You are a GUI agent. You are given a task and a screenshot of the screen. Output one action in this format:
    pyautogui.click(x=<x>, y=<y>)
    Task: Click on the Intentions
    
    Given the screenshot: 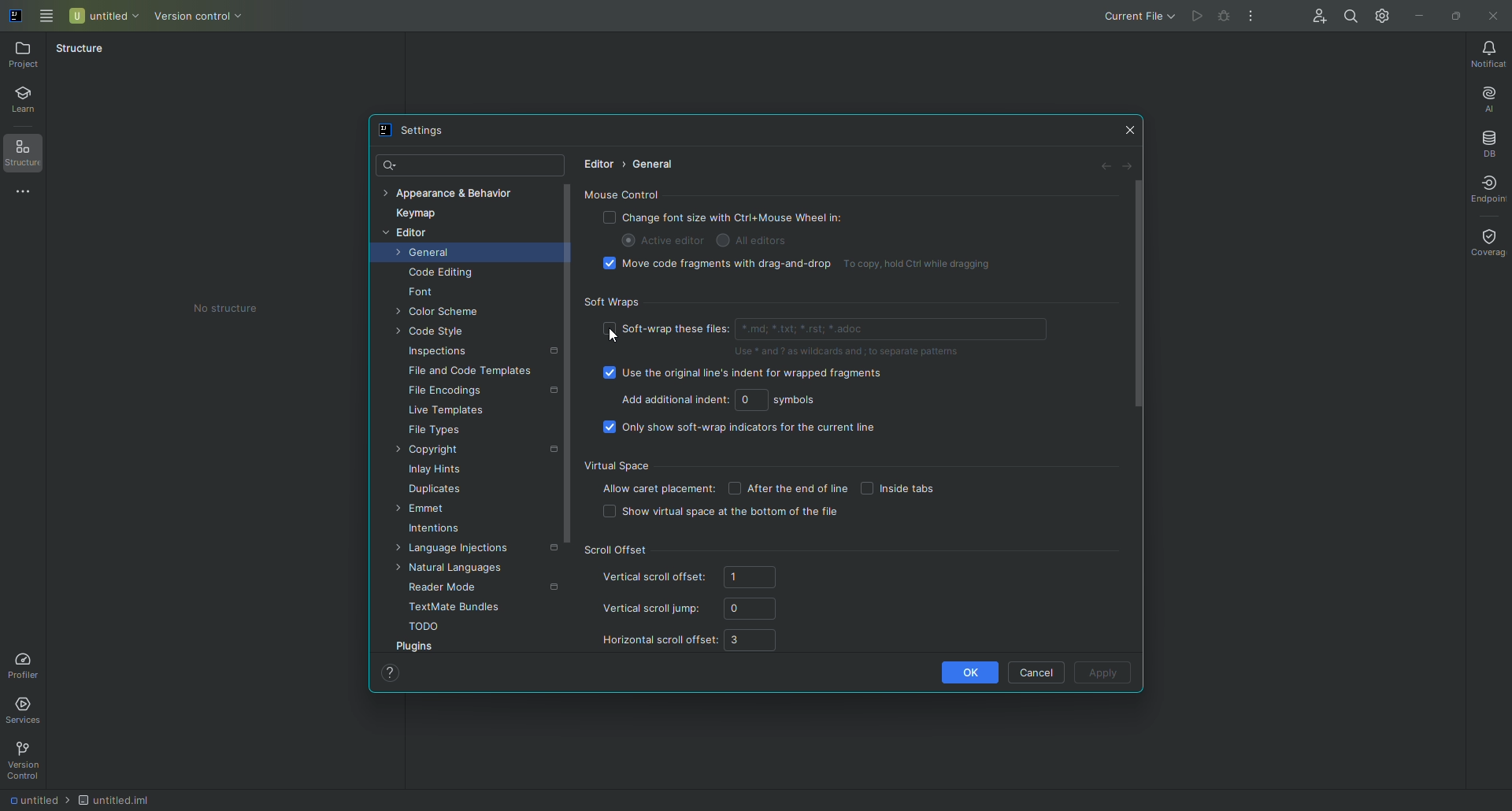 What is the action you would take?
    pyautogui.click(x=434, y=529)
    